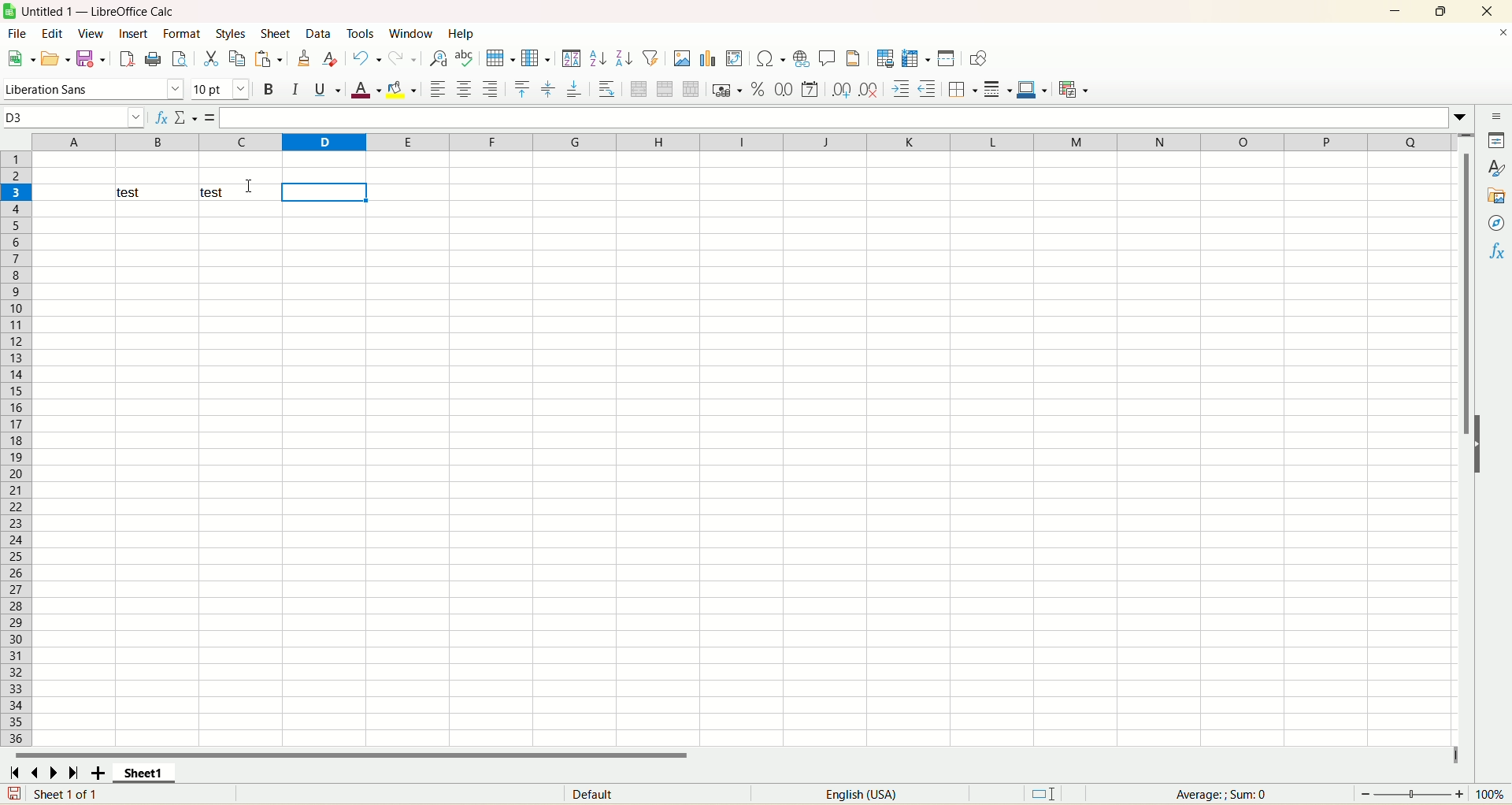 This screenshot has width=1512, height=805. Describe the element at coordinates (439, 58) in the screenshot. I see `find and replace` at that location.